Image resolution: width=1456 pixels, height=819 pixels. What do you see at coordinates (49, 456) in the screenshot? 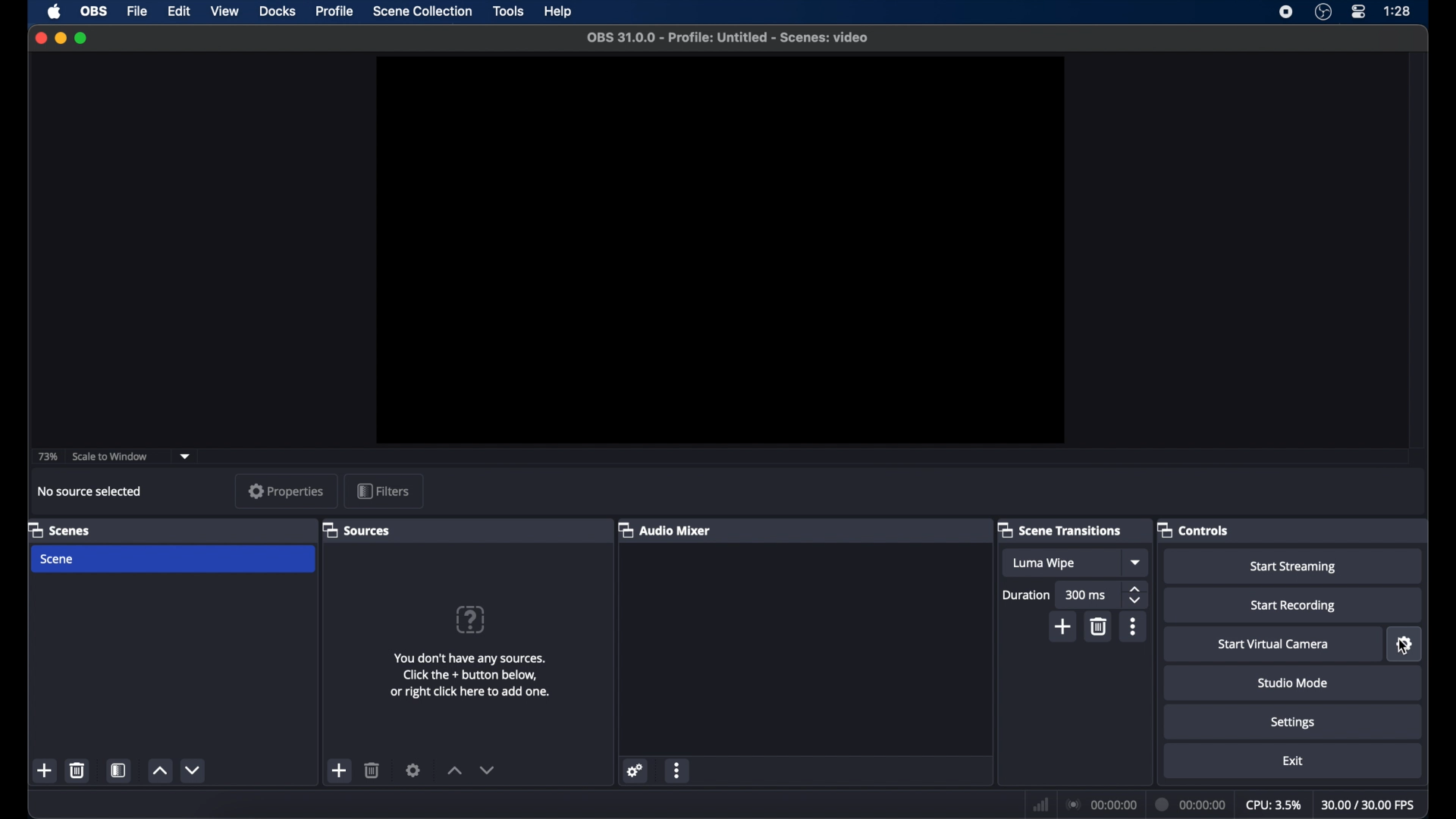
I see `73%` at bounding box center [49, 456].